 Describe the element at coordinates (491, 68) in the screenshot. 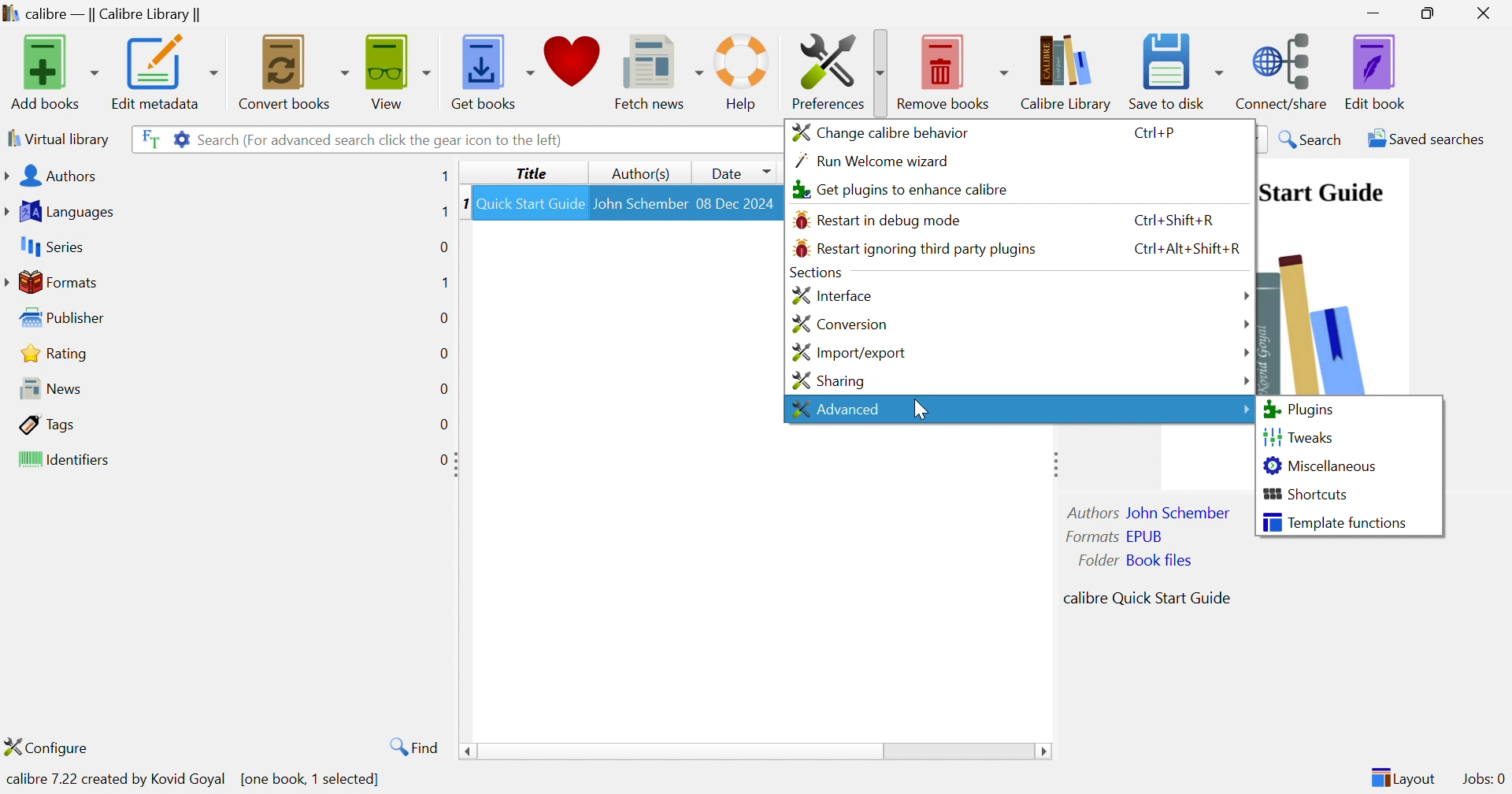

I see `Get books` at that location.